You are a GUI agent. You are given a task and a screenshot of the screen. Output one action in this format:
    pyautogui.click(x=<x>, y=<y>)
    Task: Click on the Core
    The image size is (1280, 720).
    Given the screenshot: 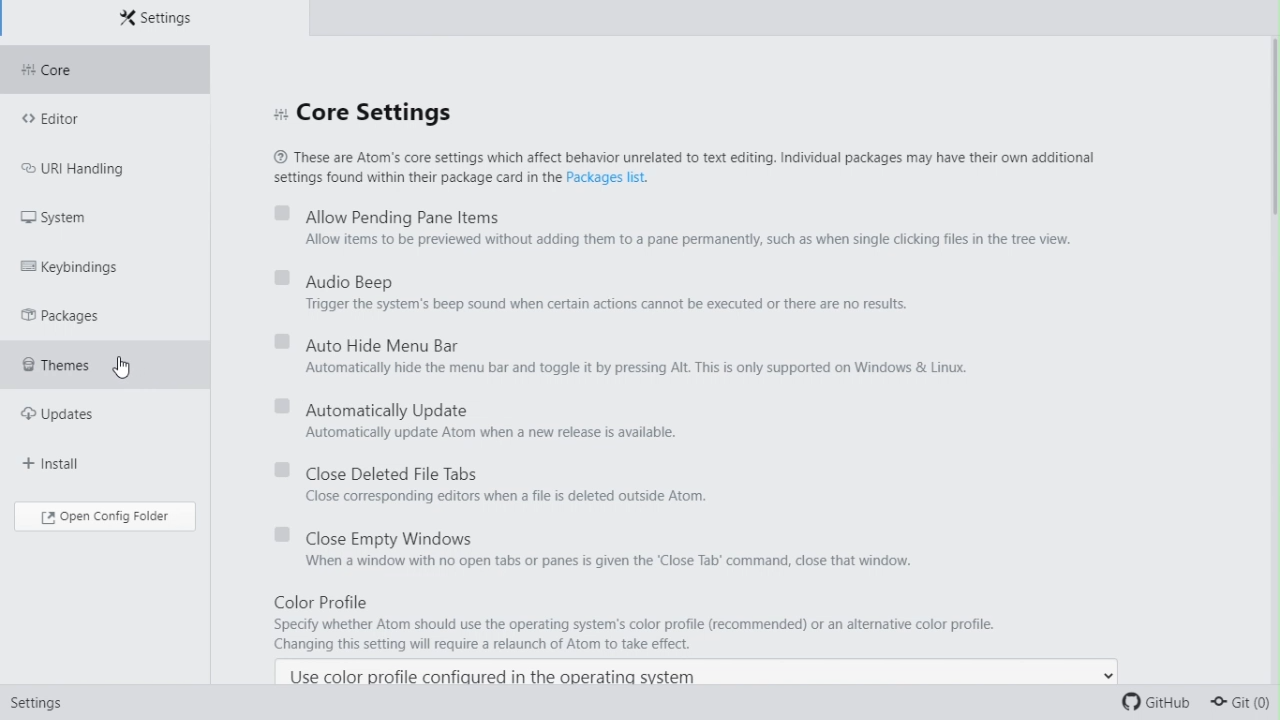 What is the action you would take?
    pyautogui.click(x=97, y=72)
    